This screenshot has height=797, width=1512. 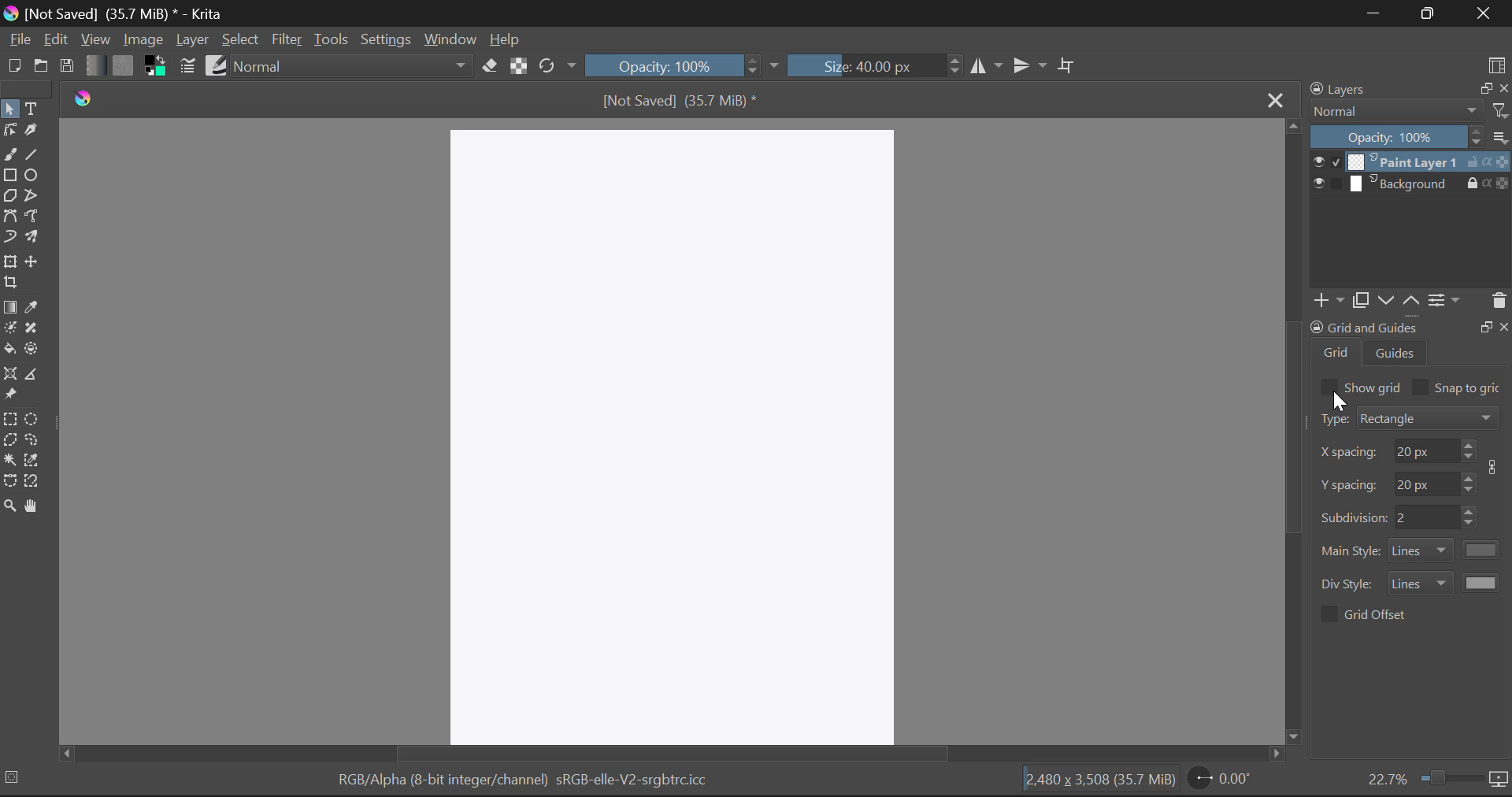 What do you see at coordinates (34, 506) in the screenshot?
I see `Pan` at bounding box center [34, 506].